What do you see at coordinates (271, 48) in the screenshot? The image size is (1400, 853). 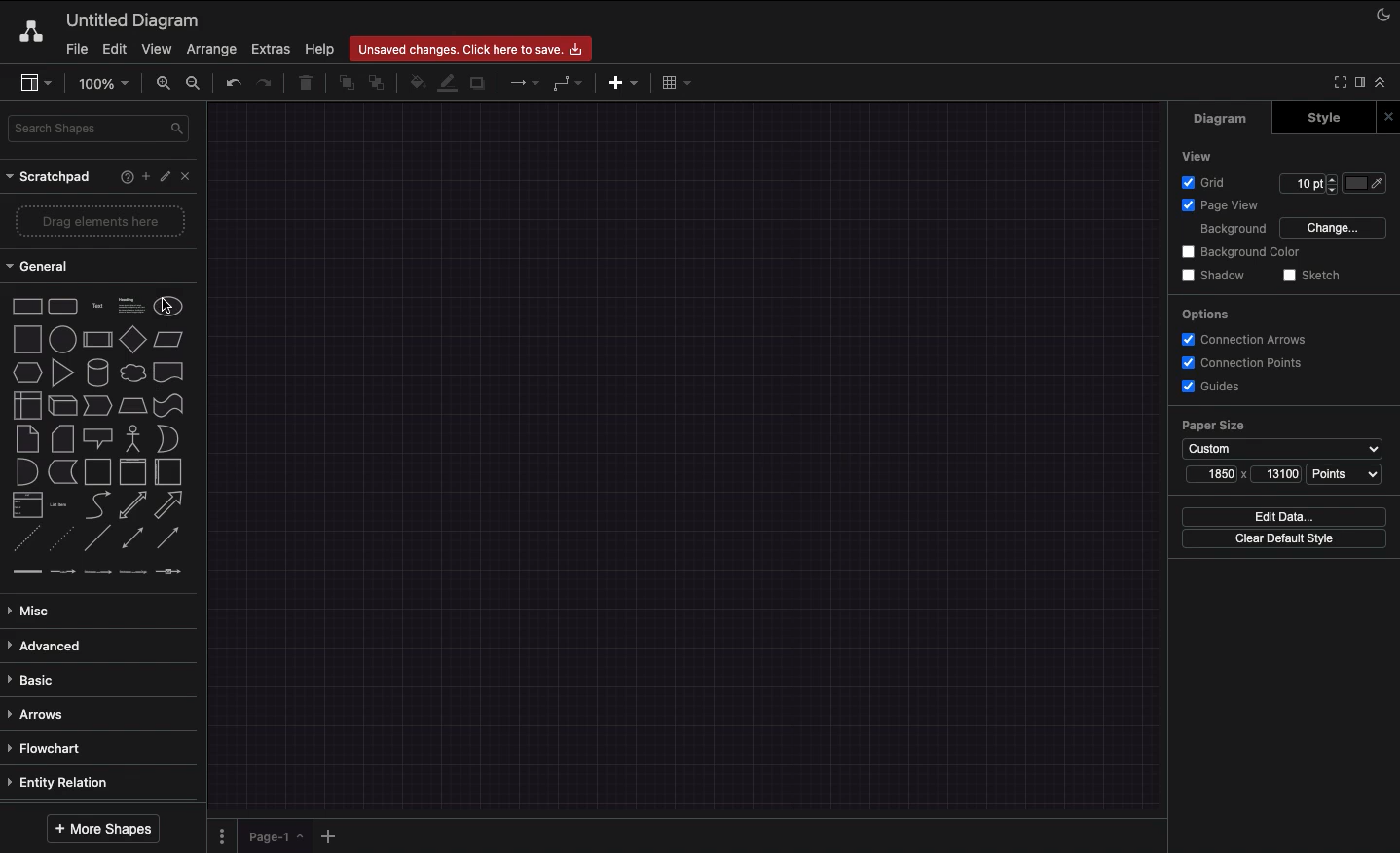 I see `Extras` at bounding box center [271, 48].